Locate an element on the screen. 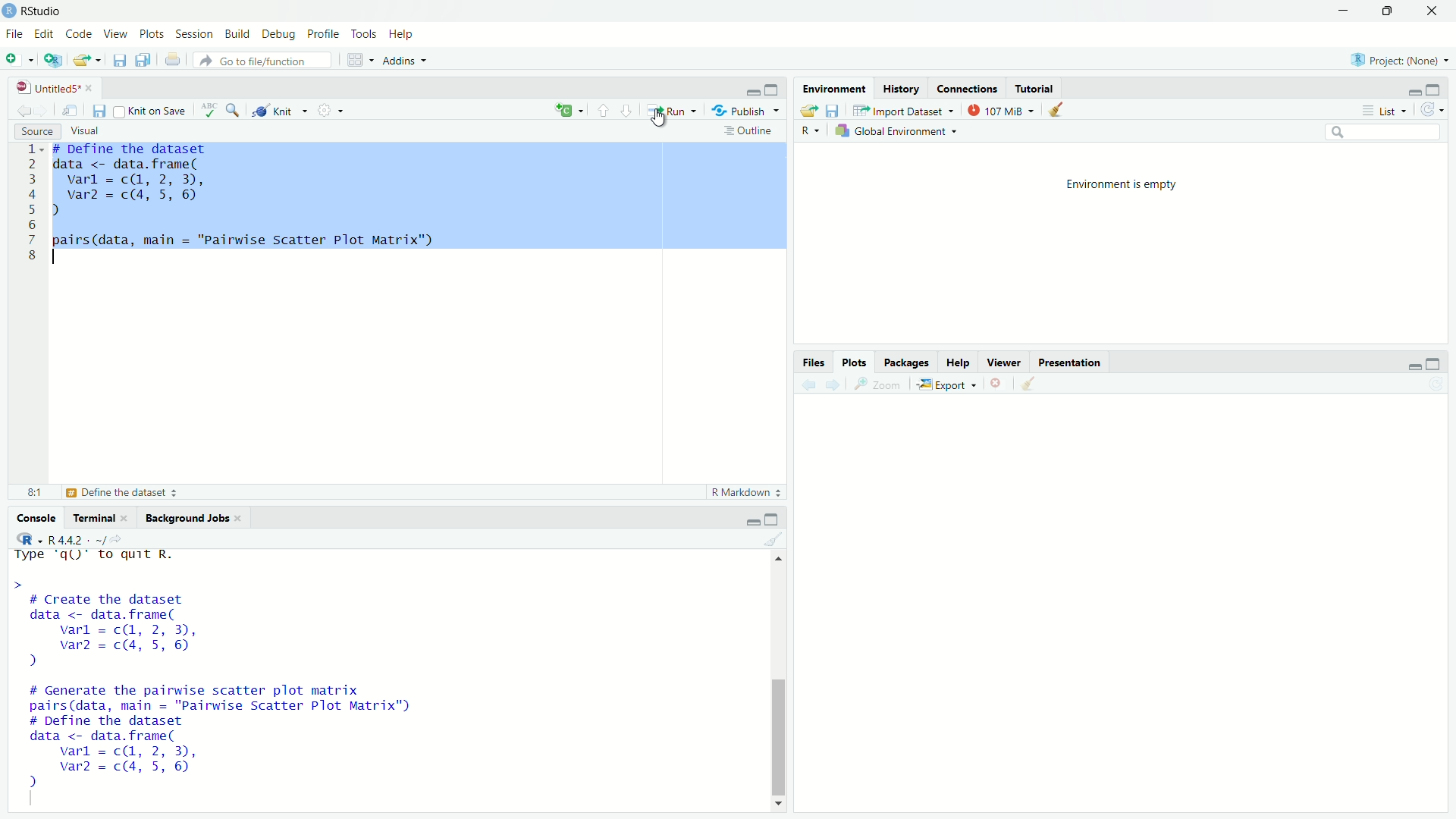 Image resolution: width=1456 pixels, height=819 pixels. Edit is located at coordinates (45, 32).